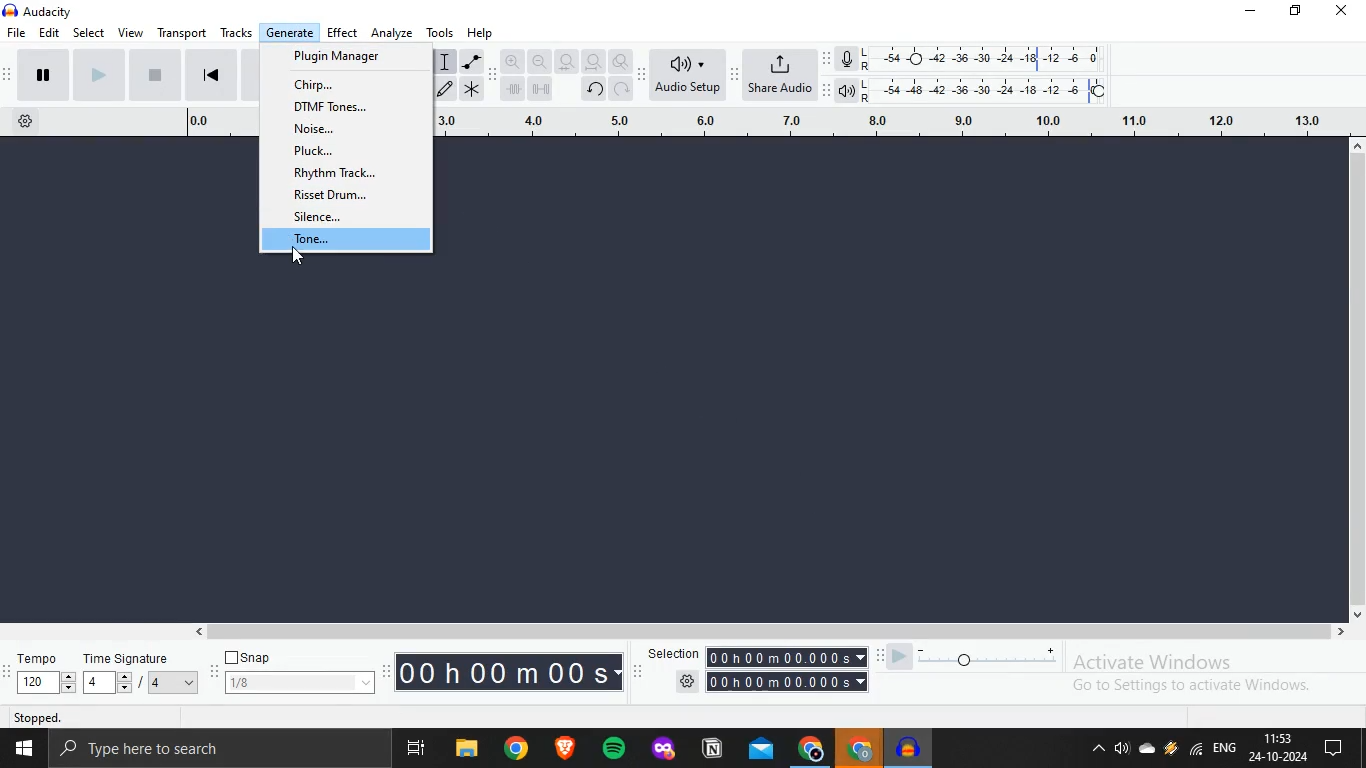 This screenshot has height=768, width=1366. I want to click on Tempo, so click(38, 673).